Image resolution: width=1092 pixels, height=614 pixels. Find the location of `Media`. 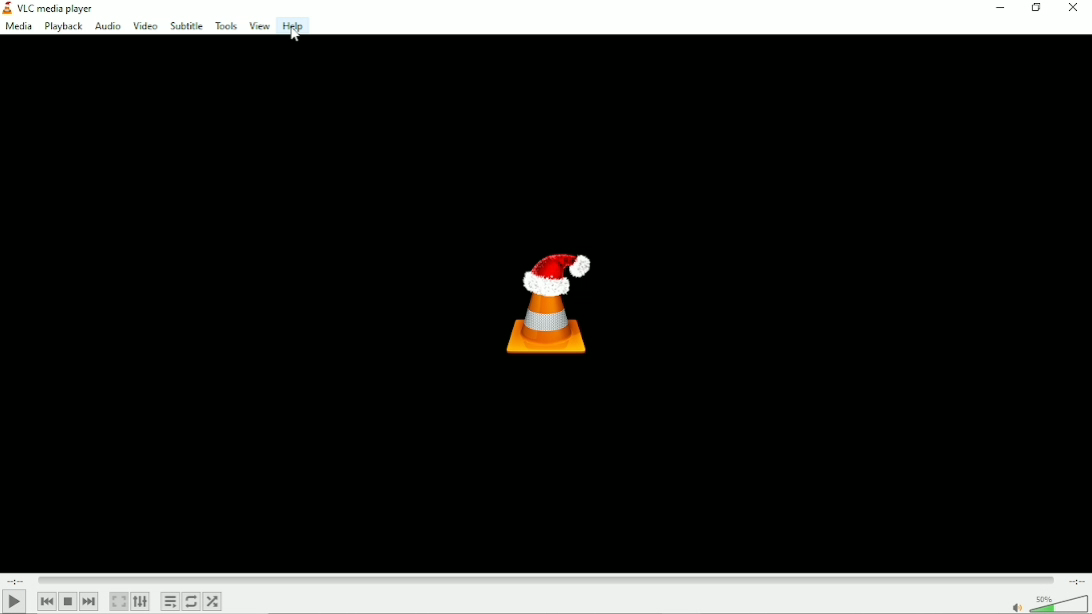

Media is located at coordinates (20, 27).